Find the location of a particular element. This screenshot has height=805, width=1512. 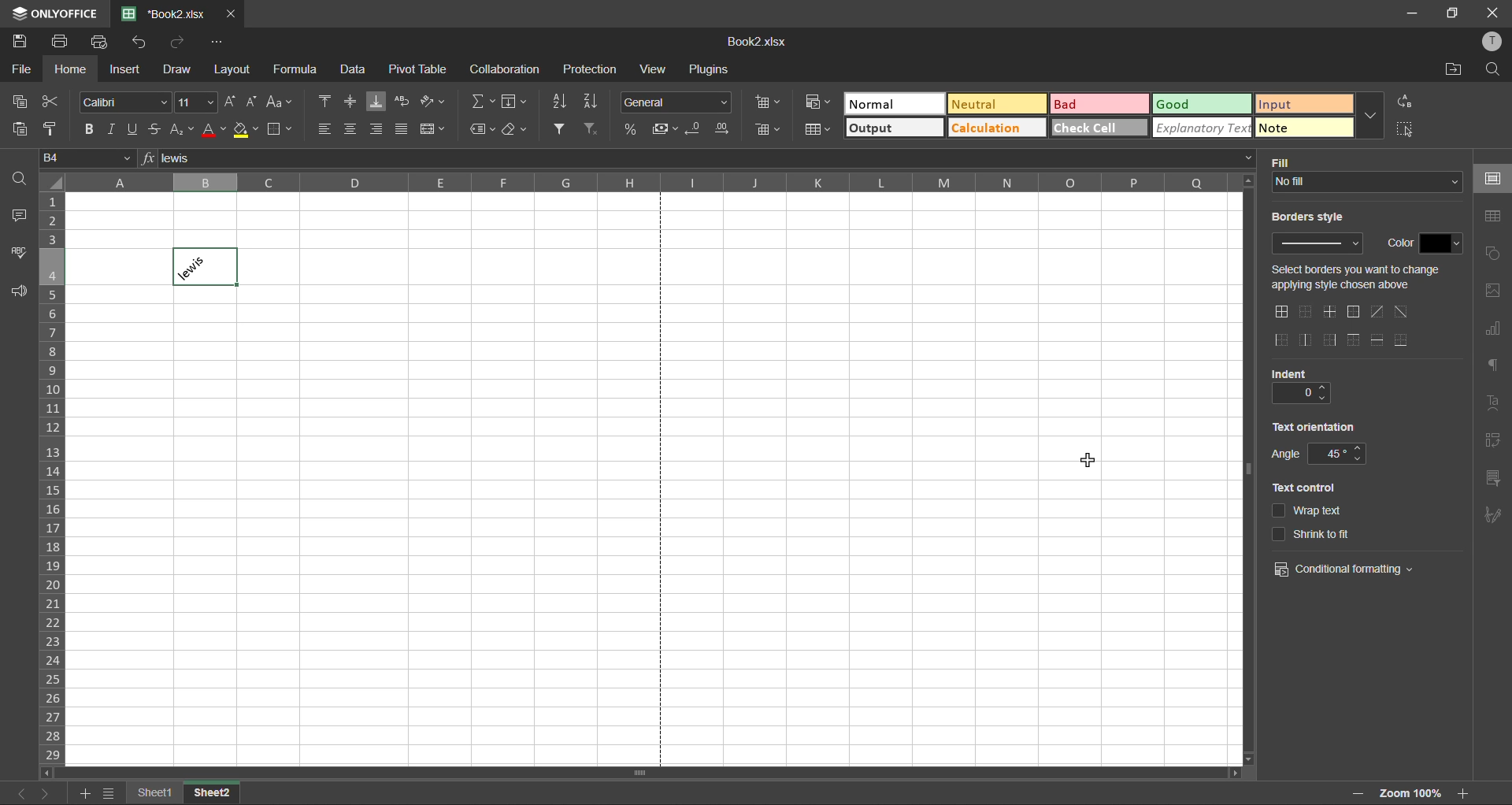

minimize is located at coordinates (1413, 13).